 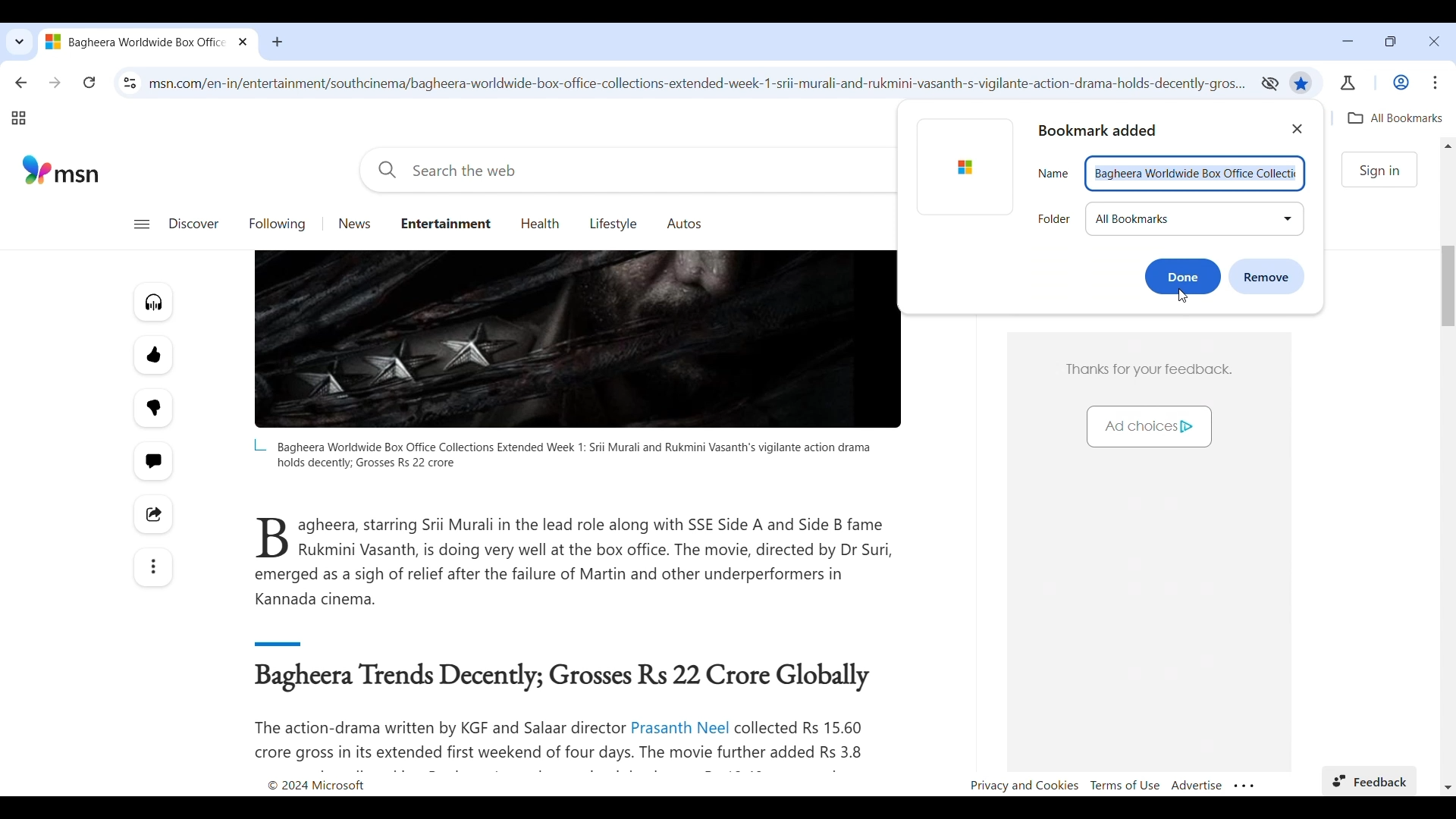 What do you see at coordinates (154, 408) in the screenshot?
I see `Fewer like this article` at bounding box center [154, 408].